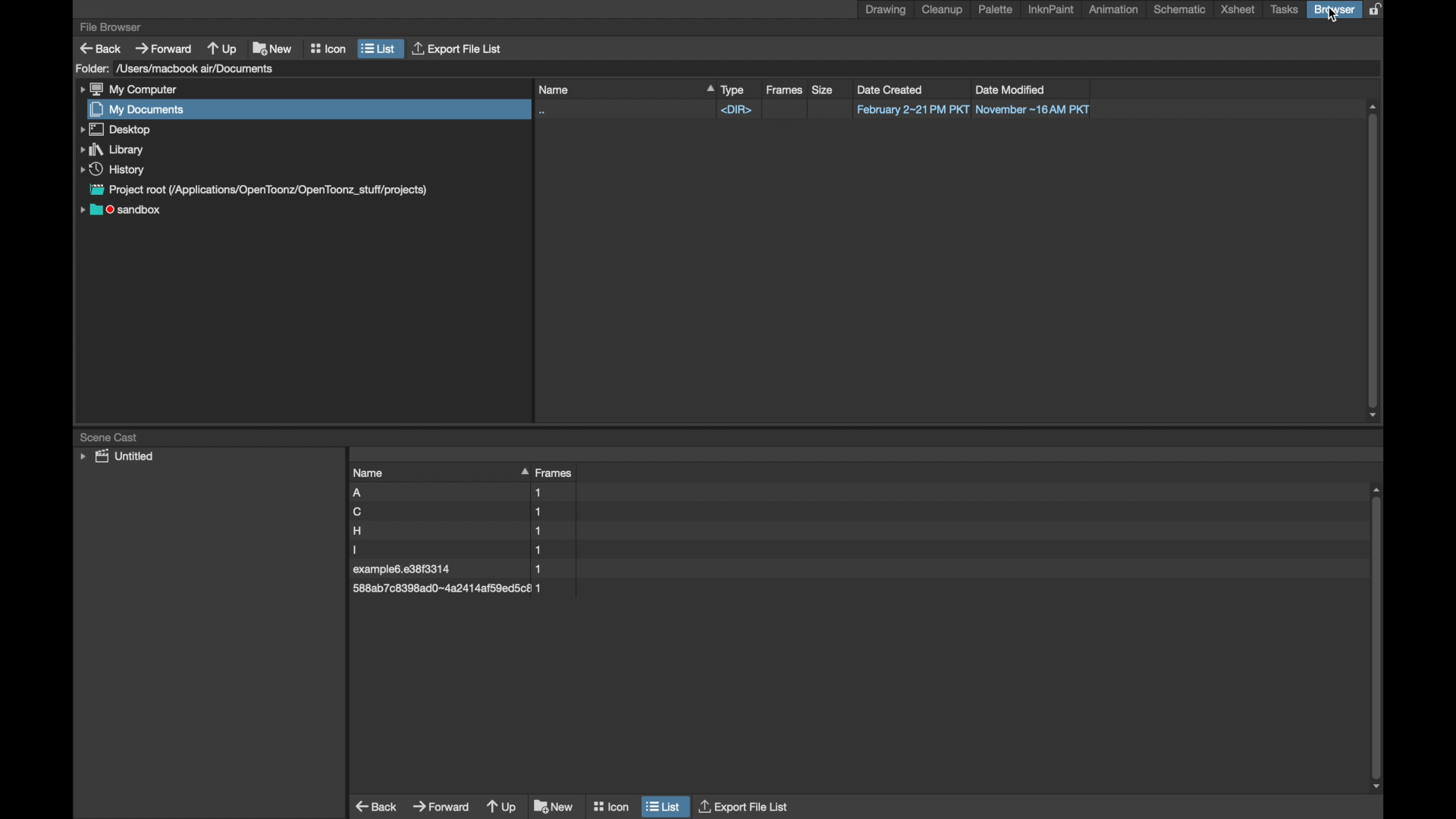 This screenshot has height=819, width=1456. Describe the element at coordinates (612, 88) in the screenshot. I see `name` at that location.